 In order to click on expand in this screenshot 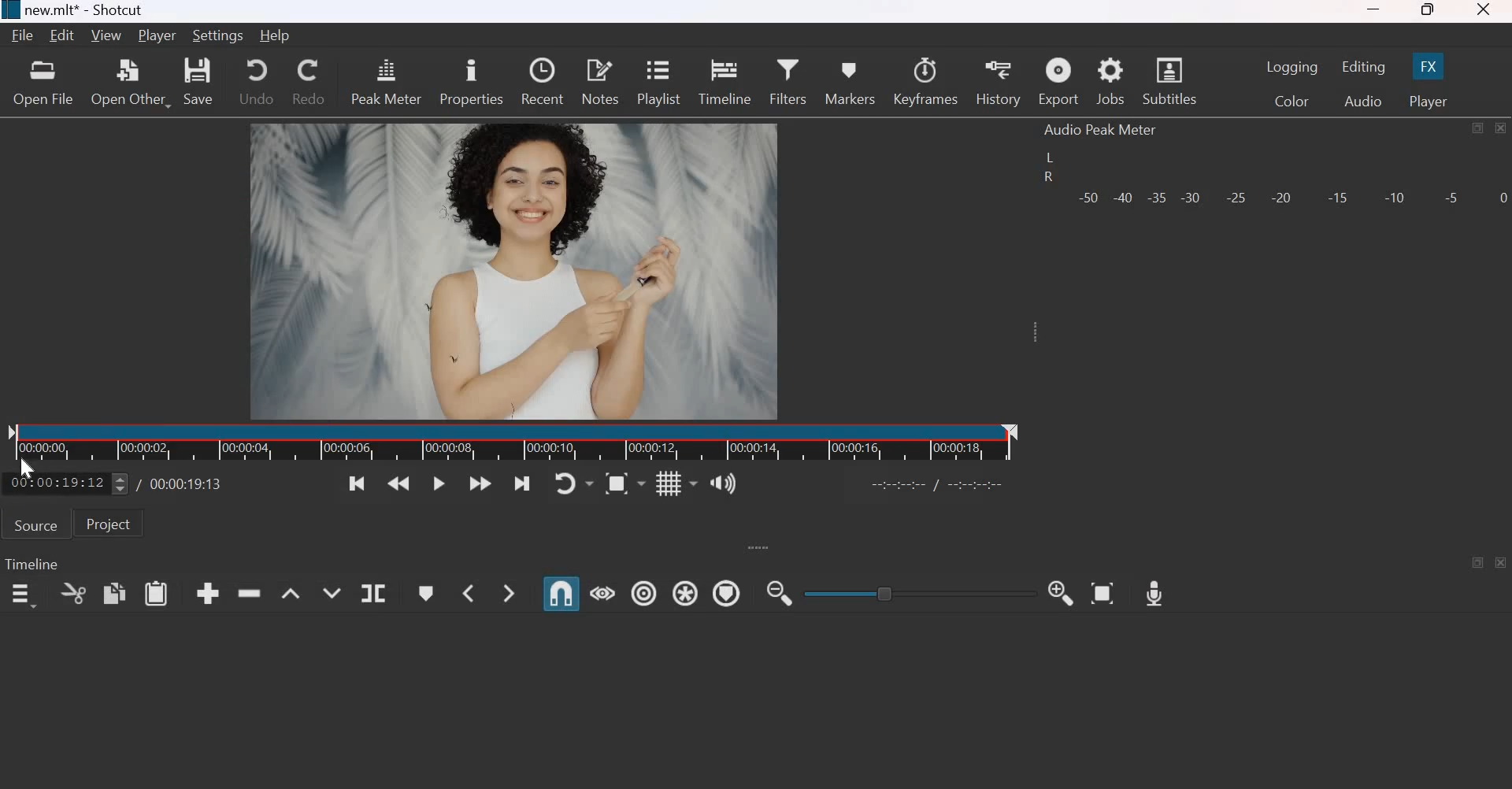, I will do `click(758, 546)`.